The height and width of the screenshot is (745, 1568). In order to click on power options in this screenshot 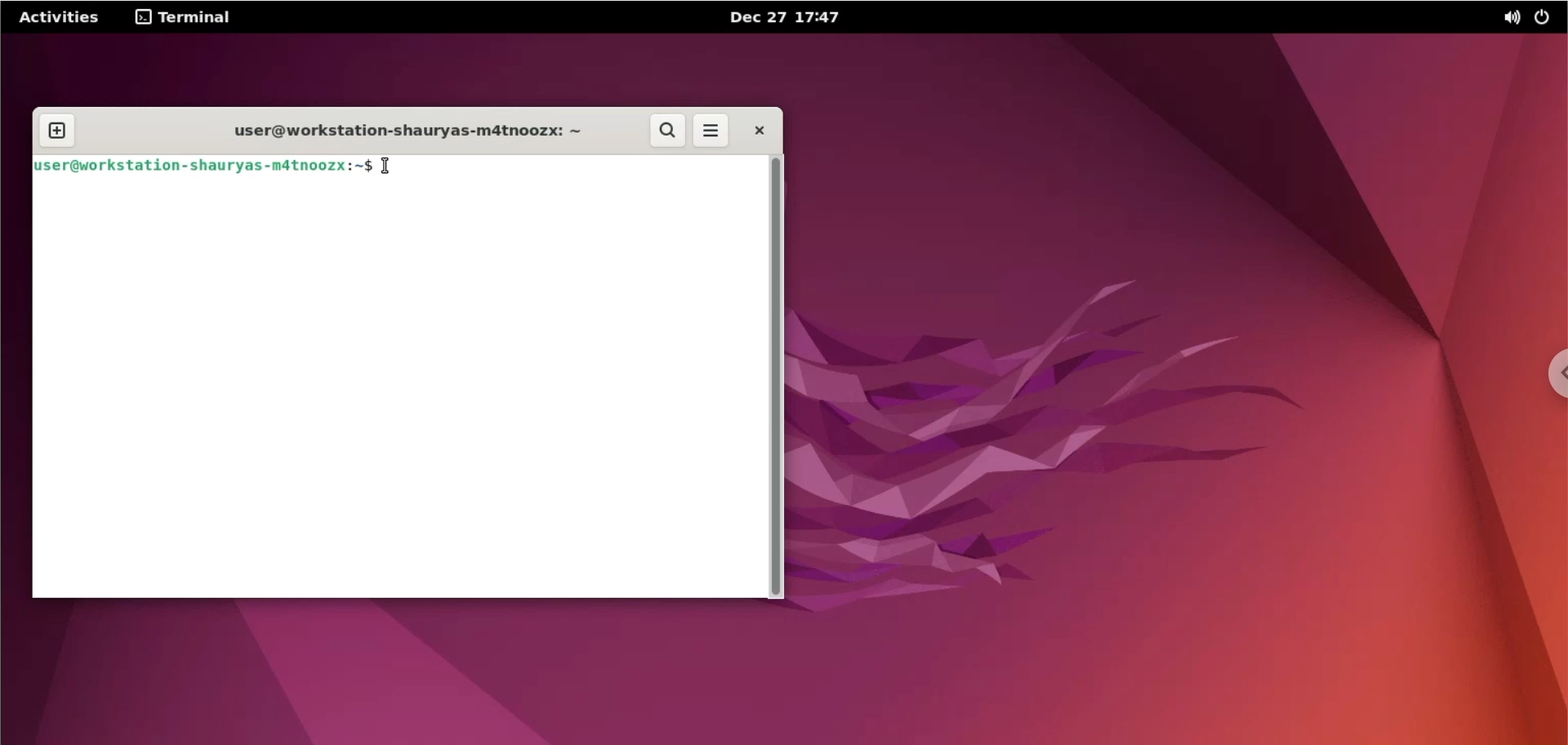, I will do `click(1546, 16)`.